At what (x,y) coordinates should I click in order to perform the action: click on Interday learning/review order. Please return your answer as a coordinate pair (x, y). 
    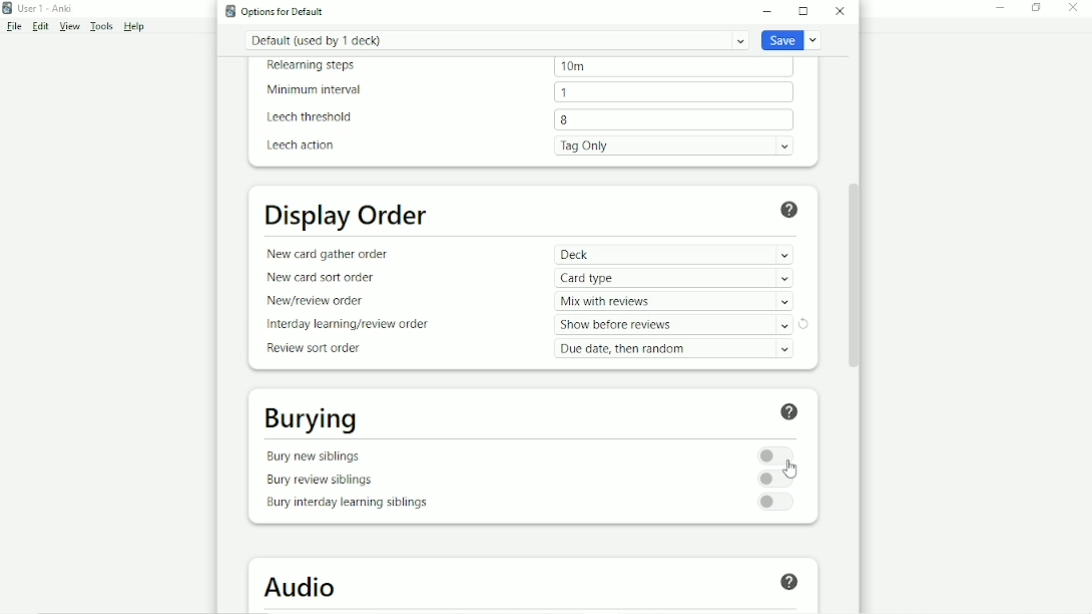
    Looking at the image, I should click on (347, 324).